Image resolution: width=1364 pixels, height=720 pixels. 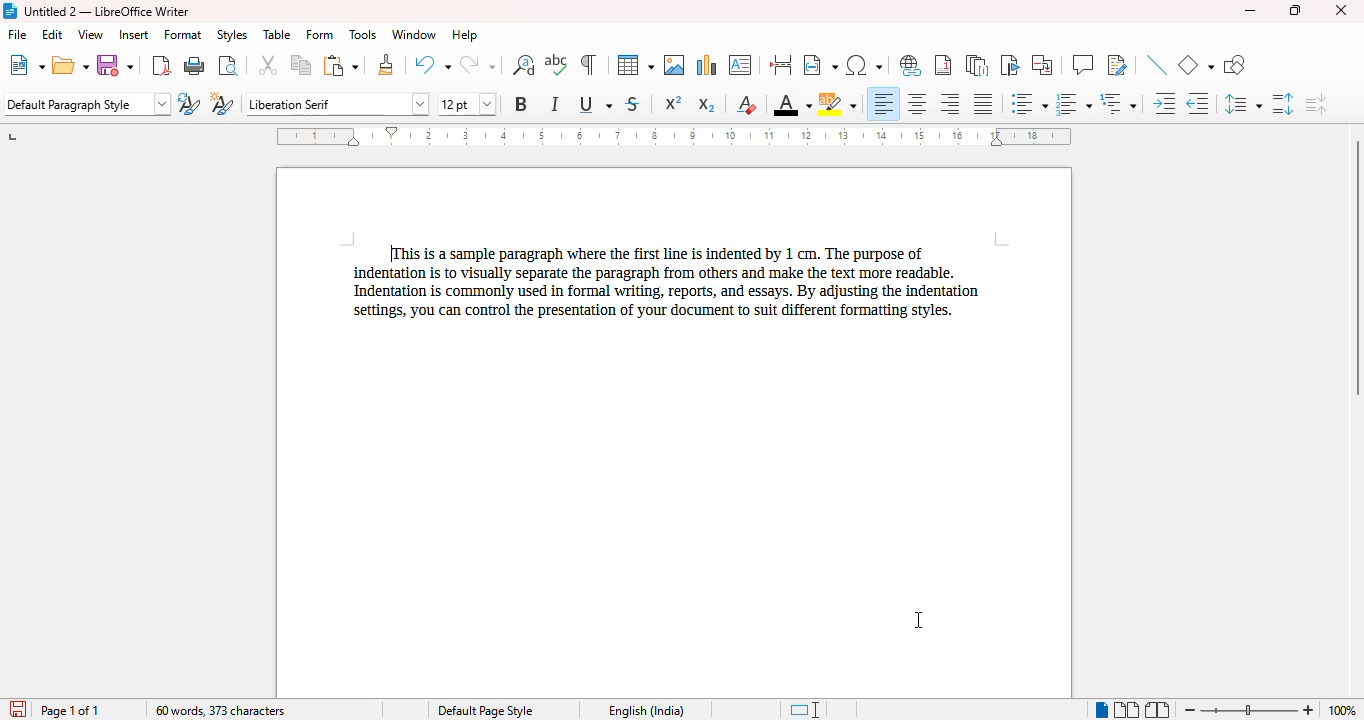 What do you see at coordinates (803, 710) in the screenshot?
I see `standard selection` at bounding box center [803, 710].